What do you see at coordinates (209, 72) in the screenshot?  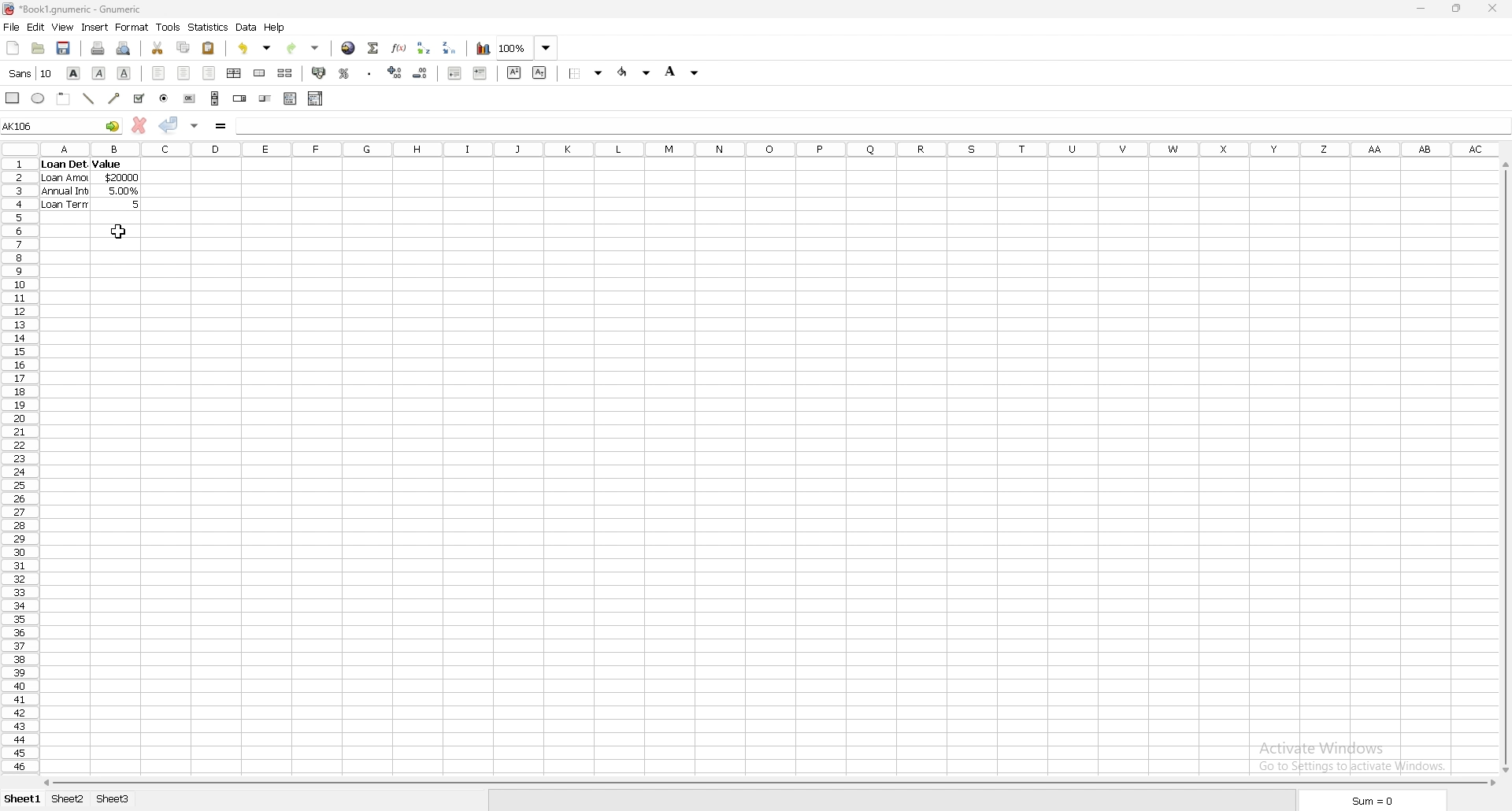 I see `right align` at bounding box center [209, 72].